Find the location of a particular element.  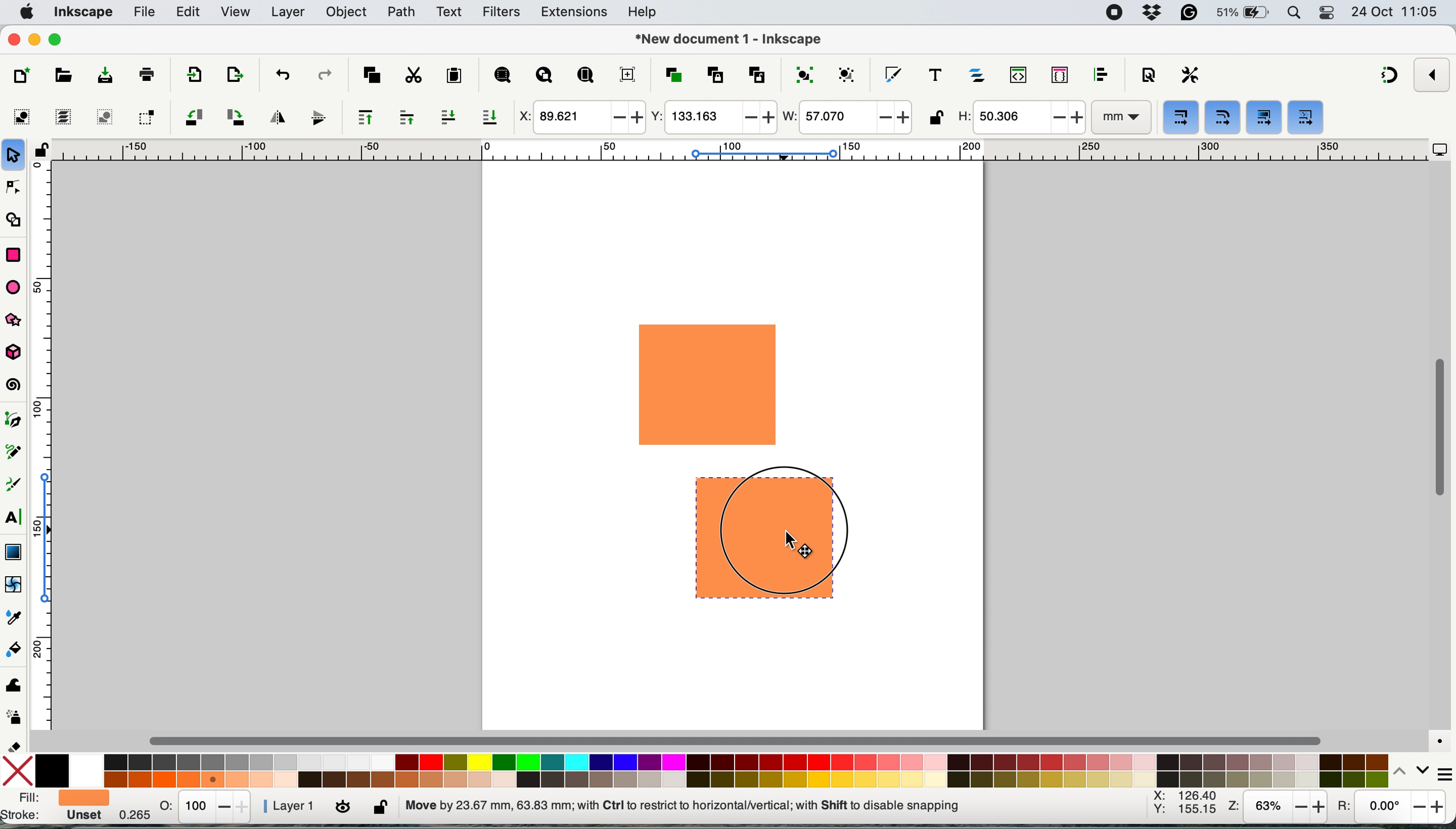

no fill is located at coordinates (20, 769).